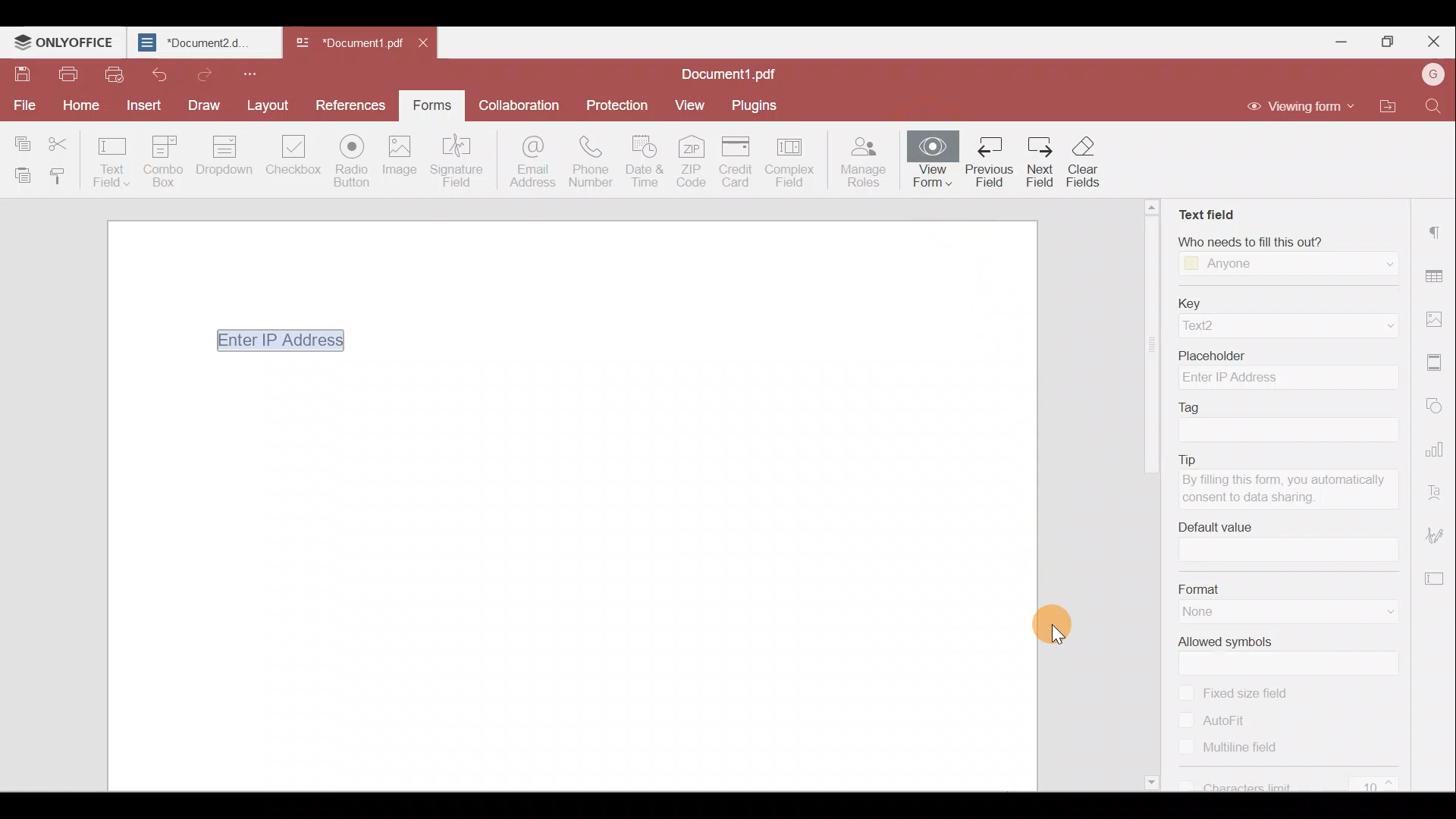 The width and height of the screenshot is (1456, 819). Describe the element at coordinates (1187, 719) in the screenshot. I see `checkbox` at that location.